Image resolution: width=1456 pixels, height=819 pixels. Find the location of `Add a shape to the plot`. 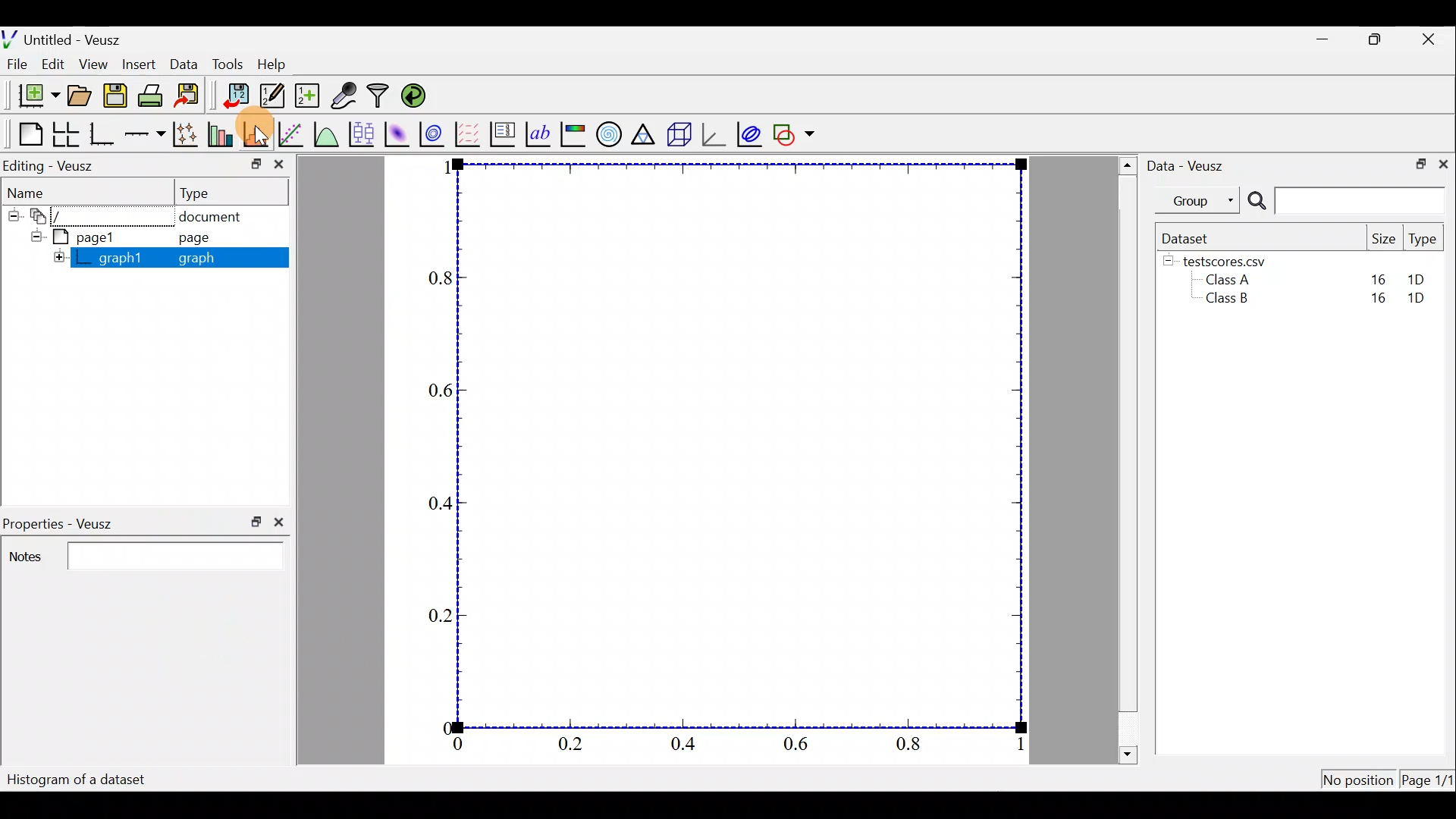

Add a shape to the plot is located at coordinates (797, 134).